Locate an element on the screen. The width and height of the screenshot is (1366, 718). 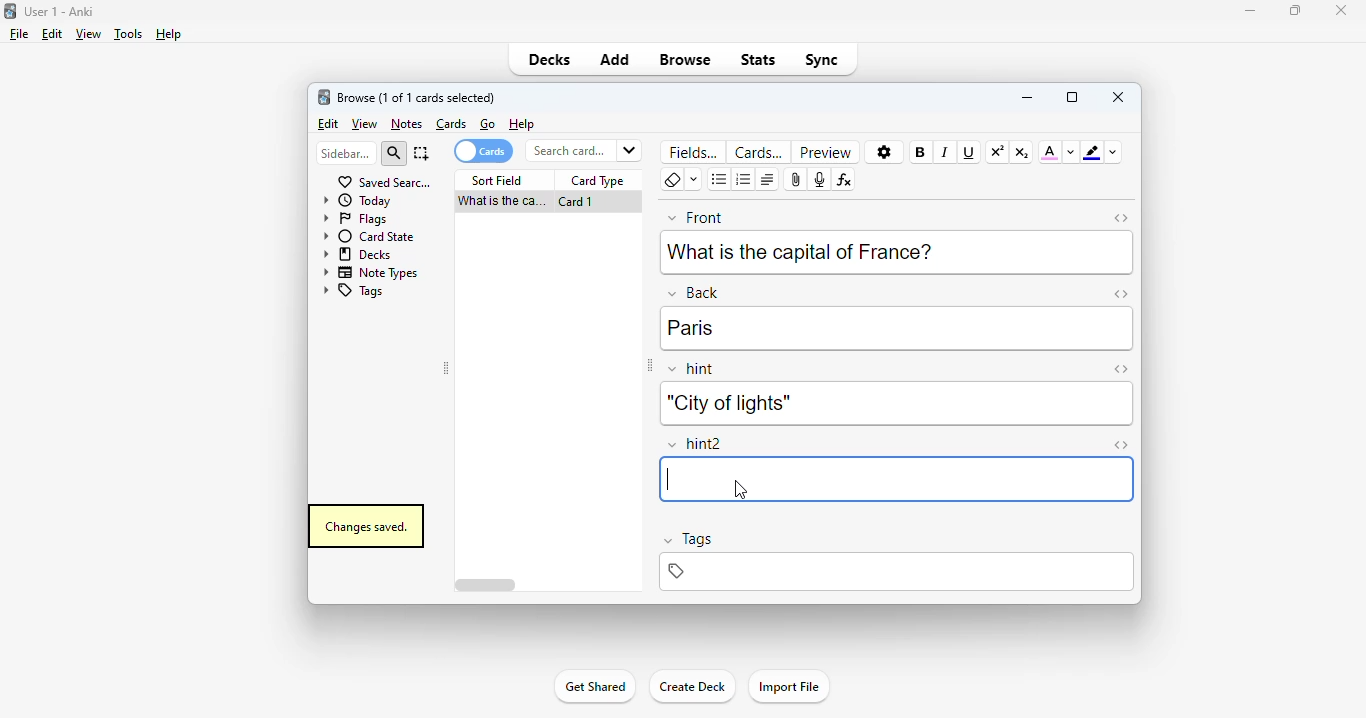
hint is located at coordinates (692, 370).